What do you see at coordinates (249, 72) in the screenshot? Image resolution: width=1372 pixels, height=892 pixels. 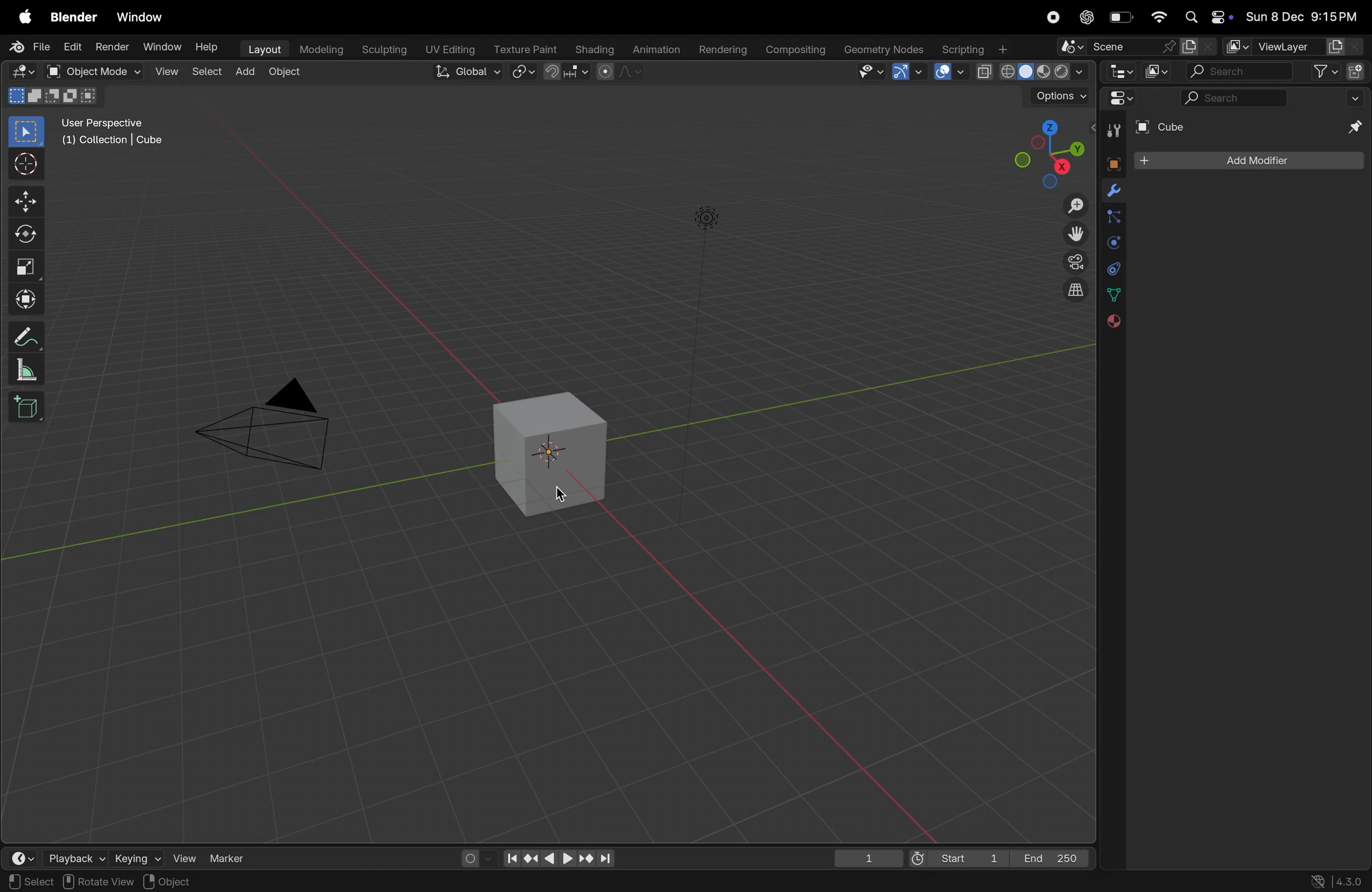 I see `add` at bounding box center [249, 72].